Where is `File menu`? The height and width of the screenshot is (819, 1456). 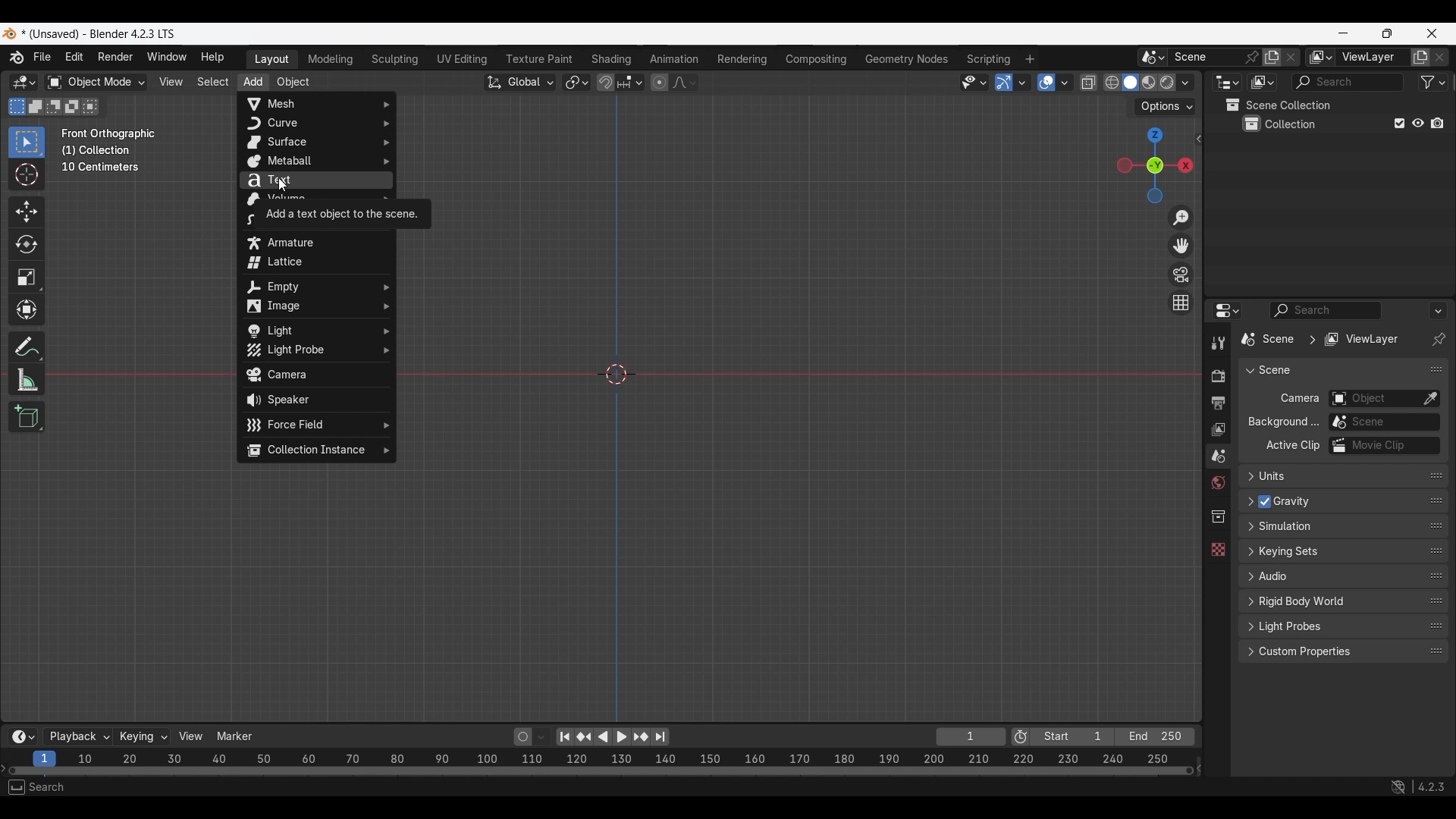 File menu is located at coordinates (43, 58).